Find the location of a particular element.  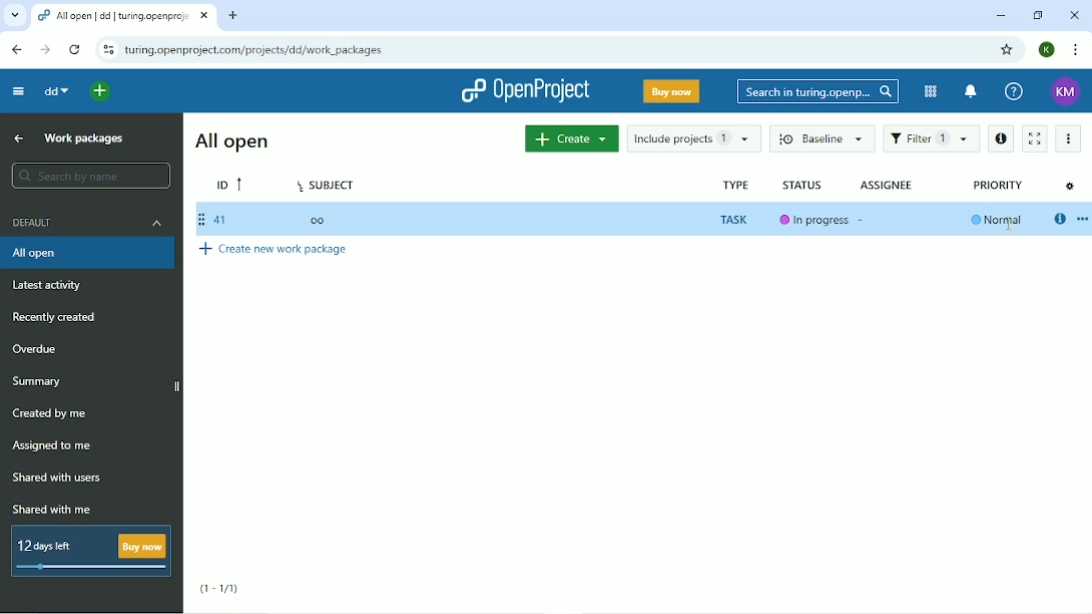

 Close is located at coordinates (1075, 14).